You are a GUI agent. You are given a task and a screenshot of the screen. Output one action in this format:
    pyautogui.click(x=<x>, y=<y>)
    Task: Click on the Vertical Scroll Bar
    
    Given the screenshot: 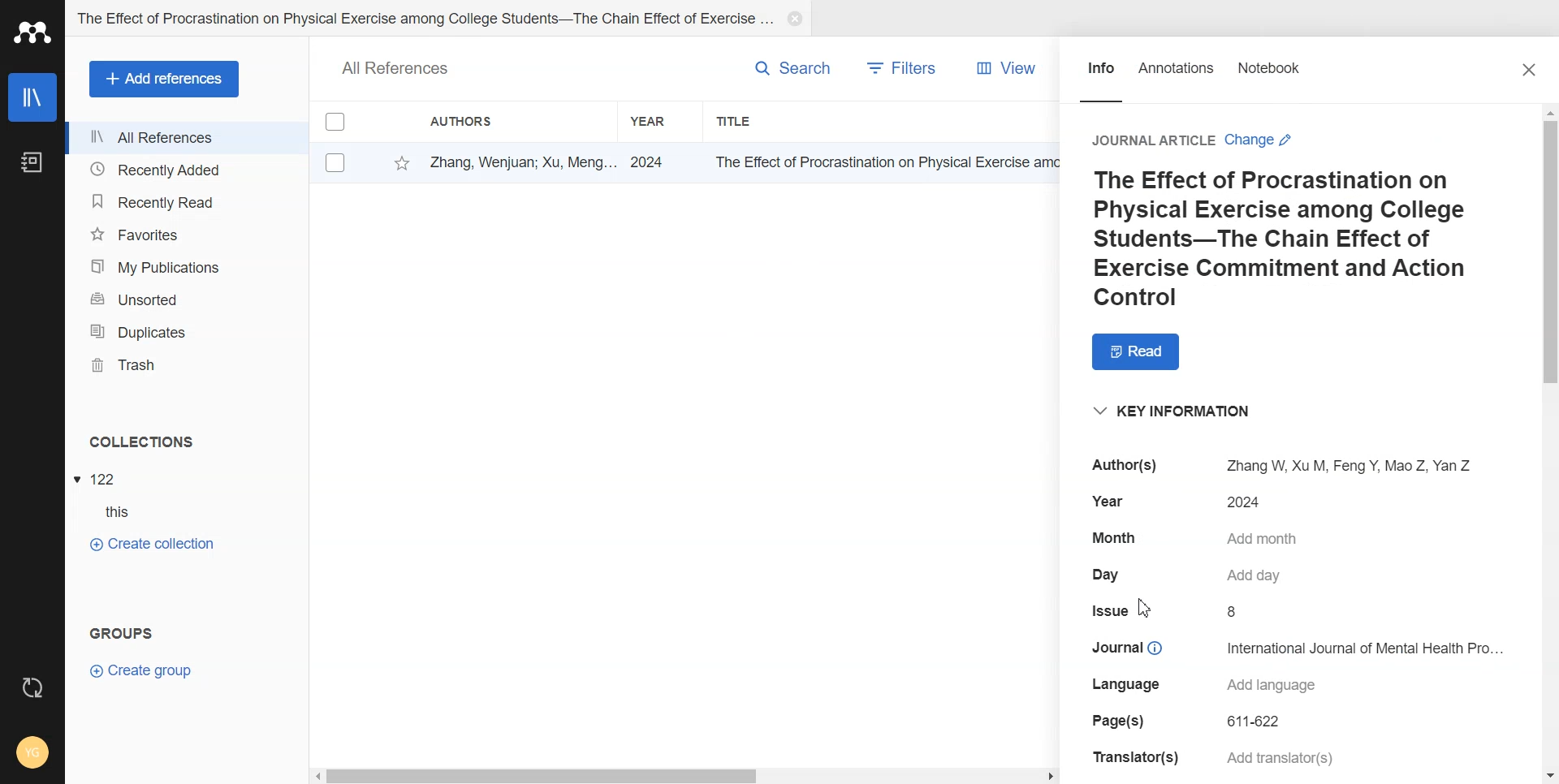 What is the action you would take?
    pyautogui.click(x=1549, y=444)
    